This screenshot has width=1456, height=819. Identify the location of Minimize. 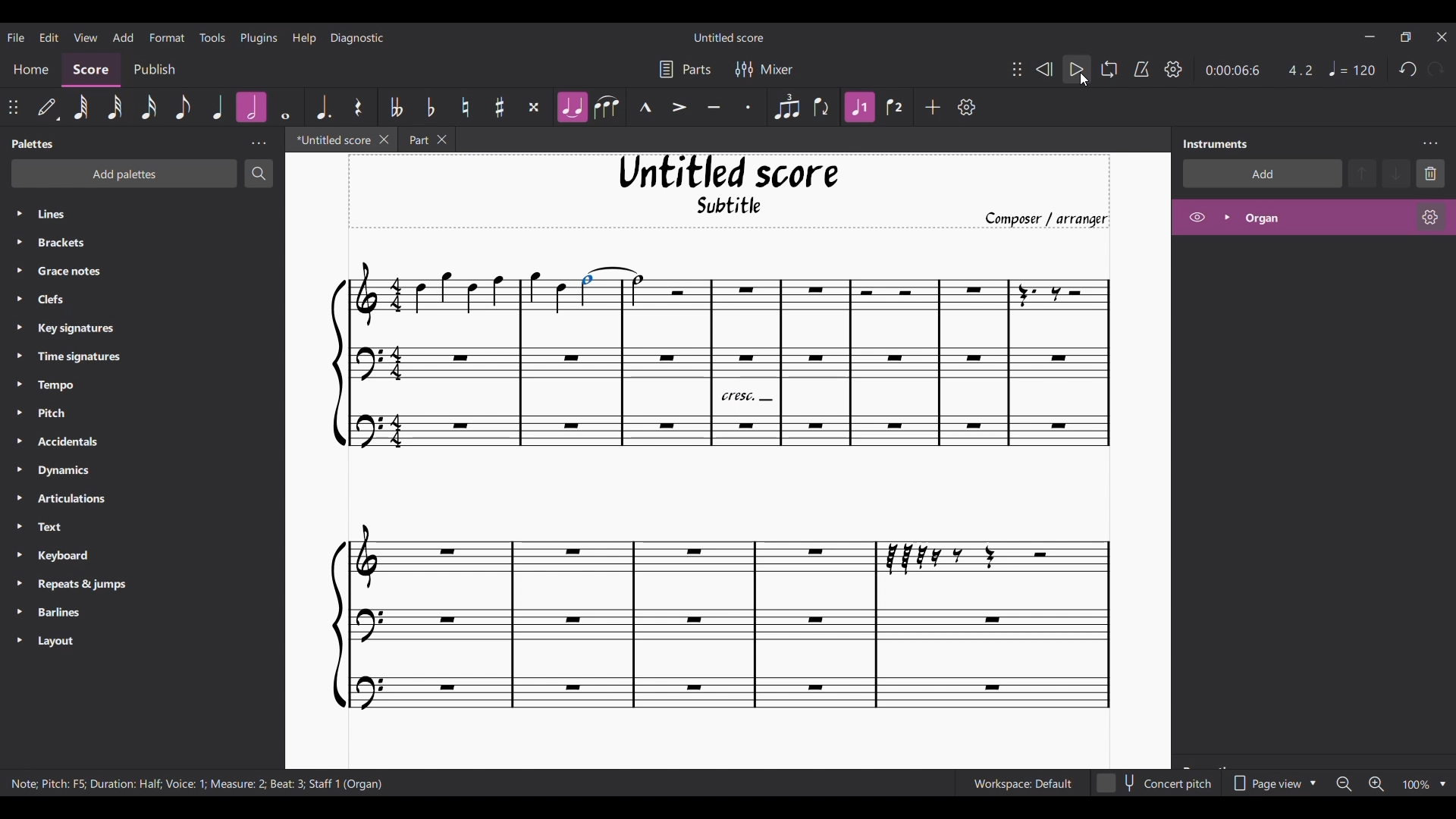
(1371, 36).